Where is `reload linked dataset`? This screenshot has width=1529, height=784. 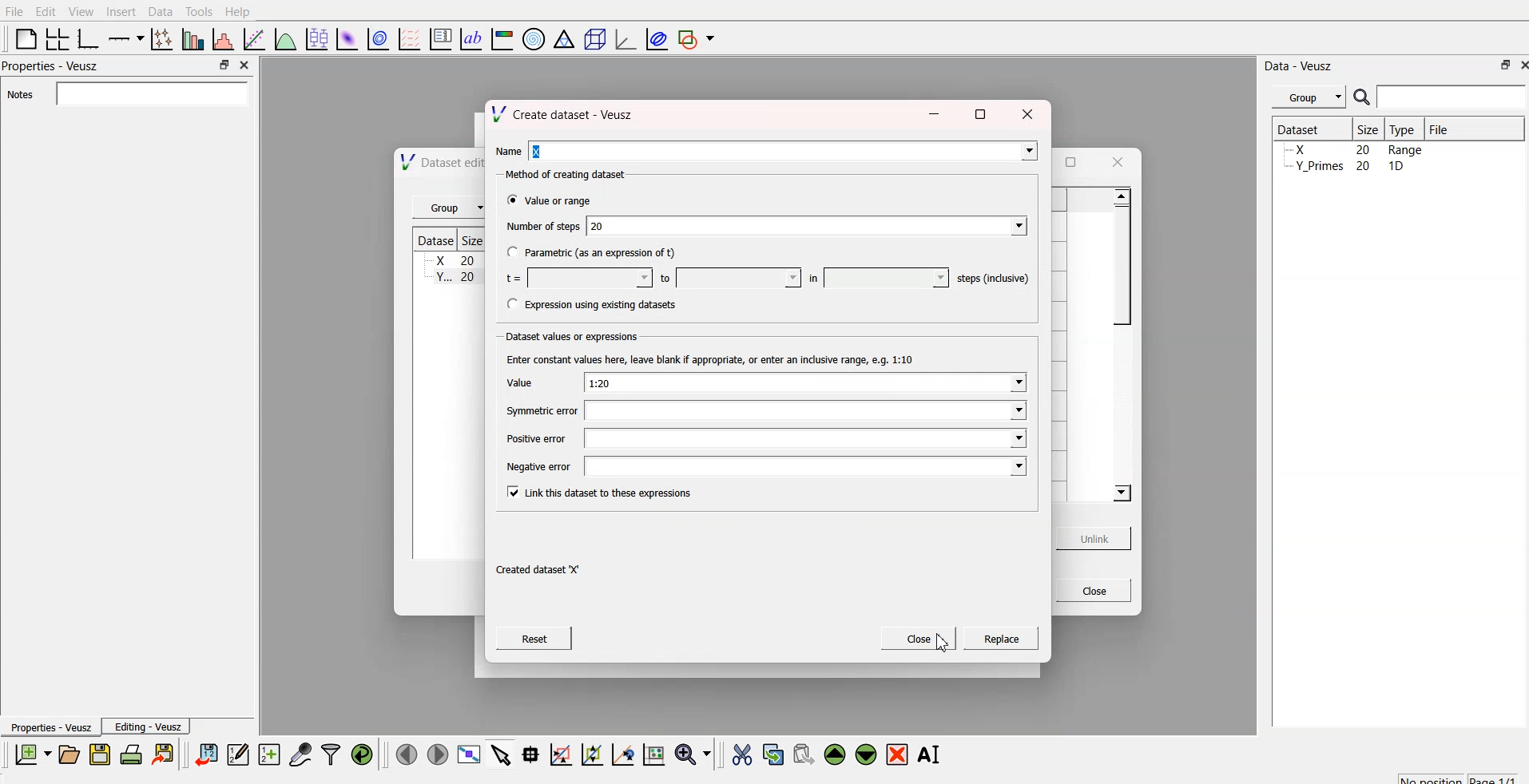
reload linked dataset is located at coordinates (362, 752).